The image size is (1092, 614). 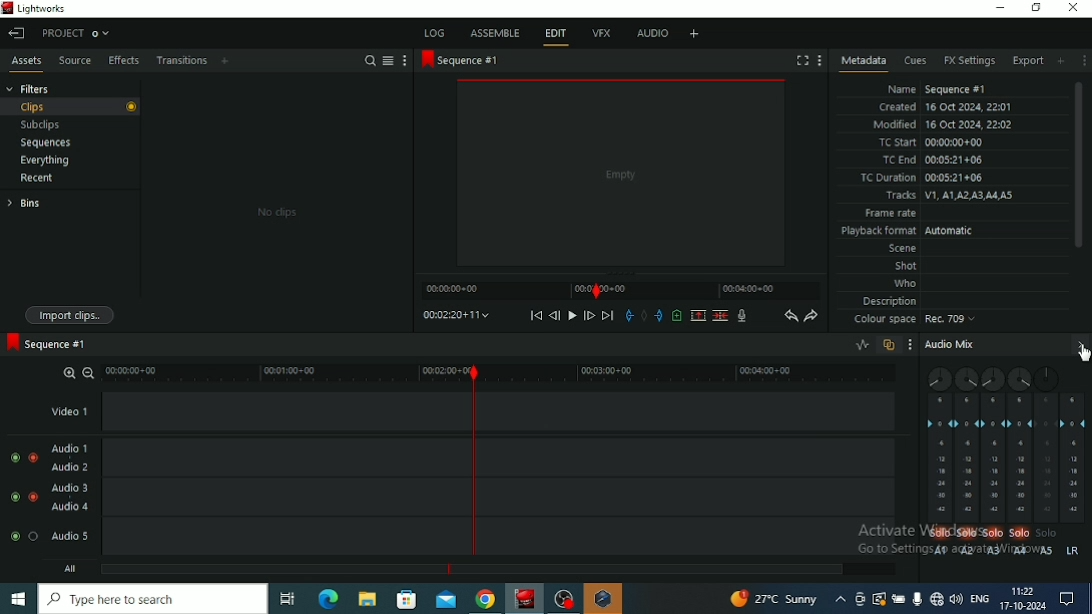 What do you see at coordinates (38, 9) in the screenshot?
I see `Lightworks` at bounding box center [38, 9].